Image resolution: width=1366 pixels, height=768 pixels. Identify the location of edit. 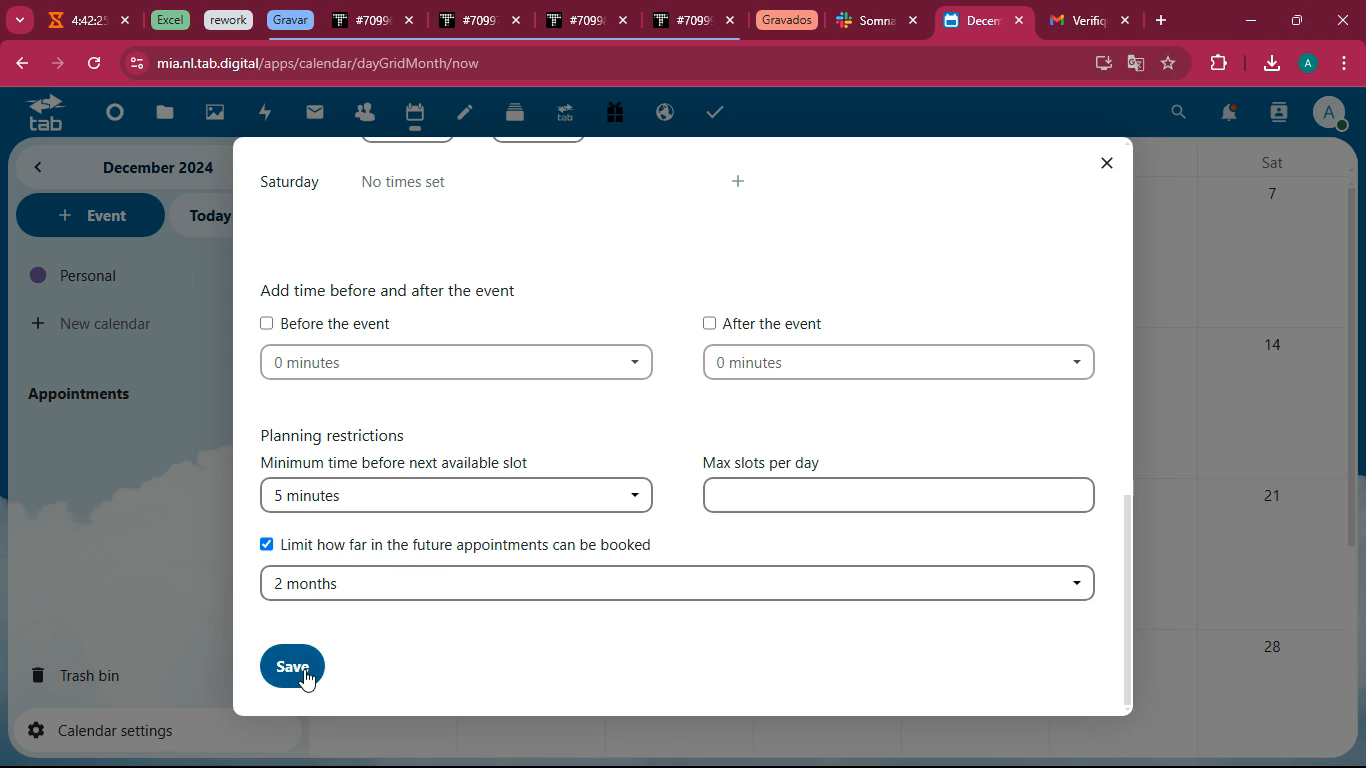
(465, 115).